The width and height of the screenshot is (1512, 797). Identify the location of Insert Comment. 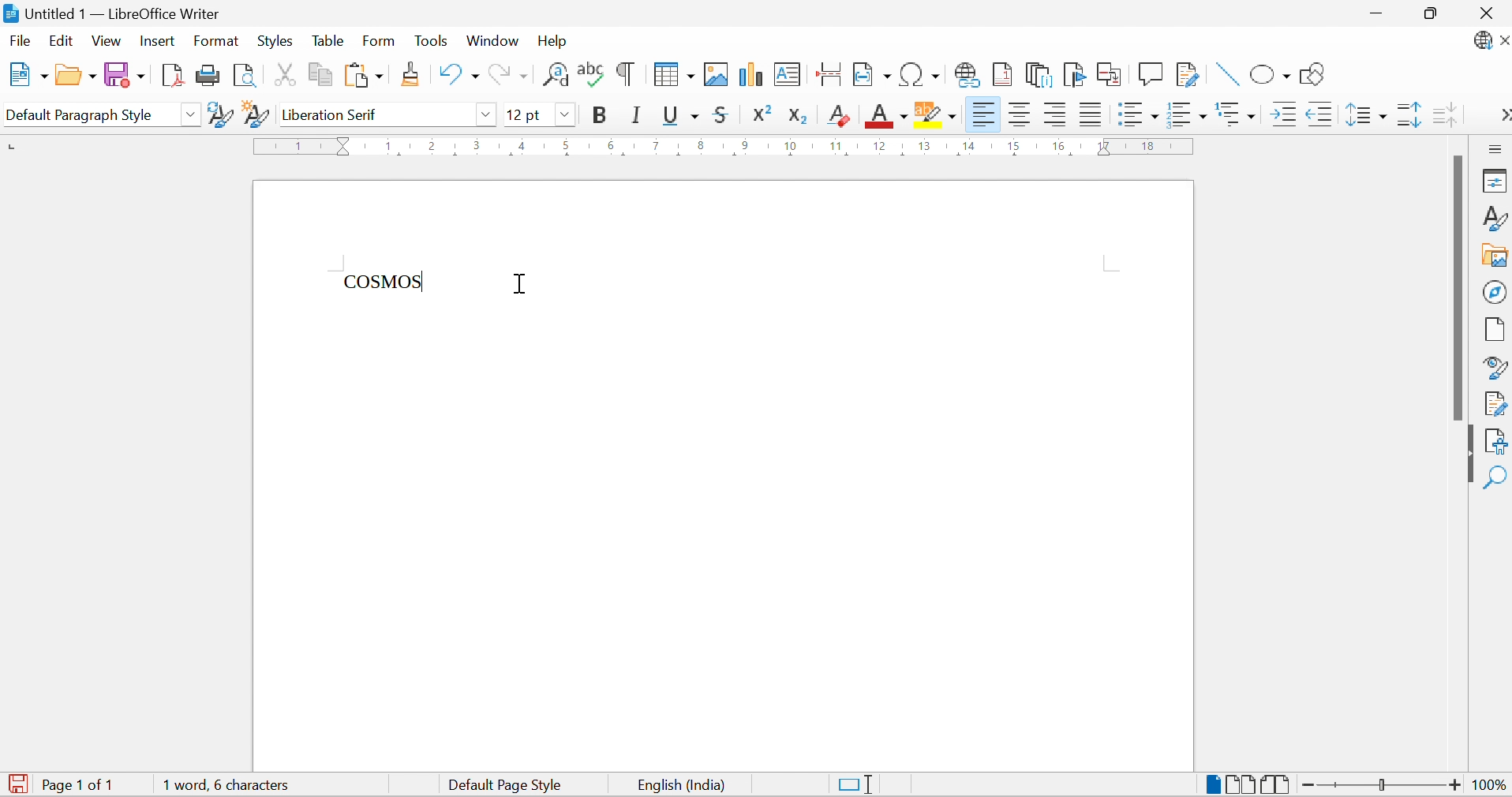
(1152, 73).